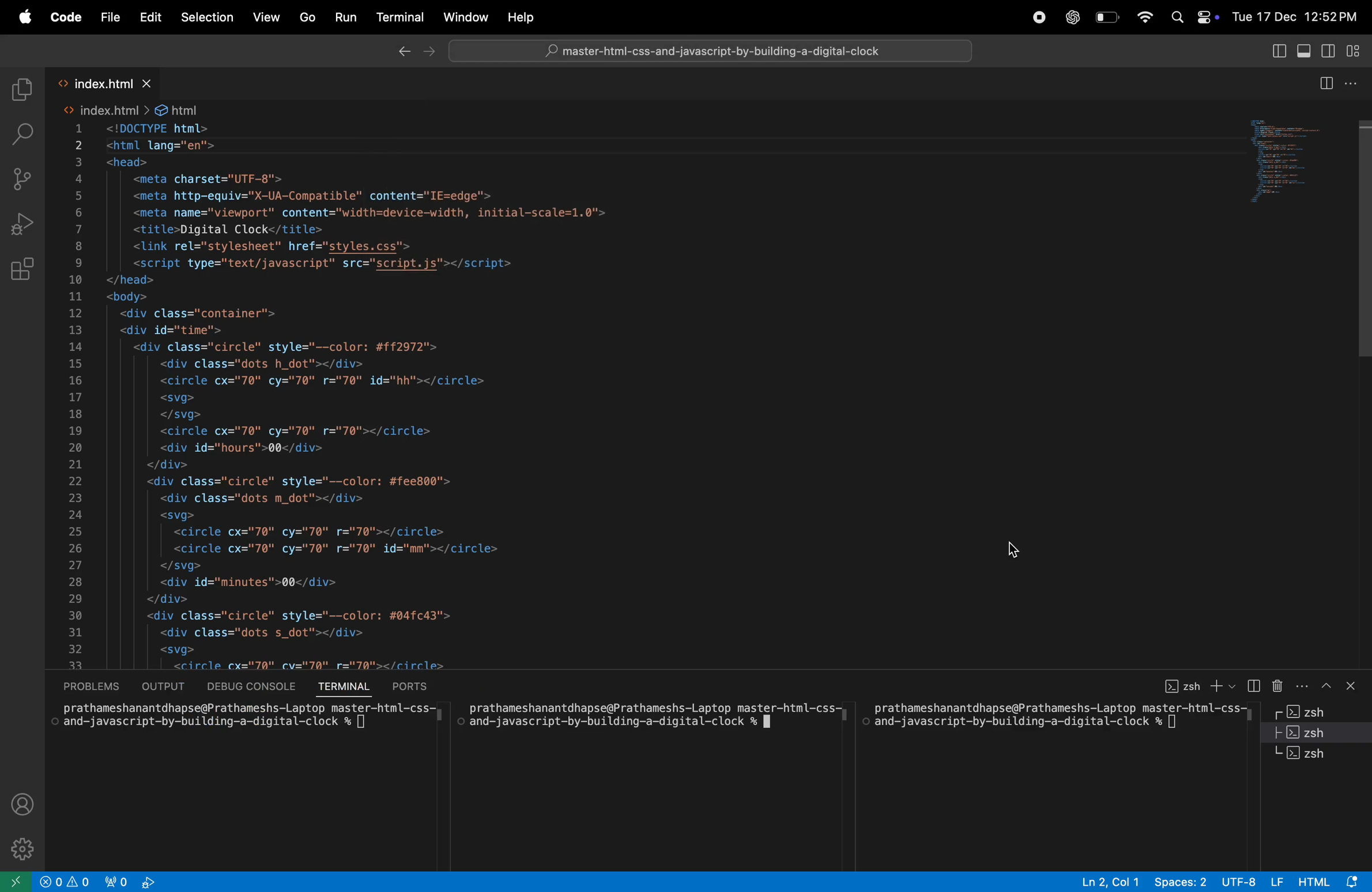  Describe the element at coordinates (1067, 16) in the screenshot. I see `chatgpt` at that location.